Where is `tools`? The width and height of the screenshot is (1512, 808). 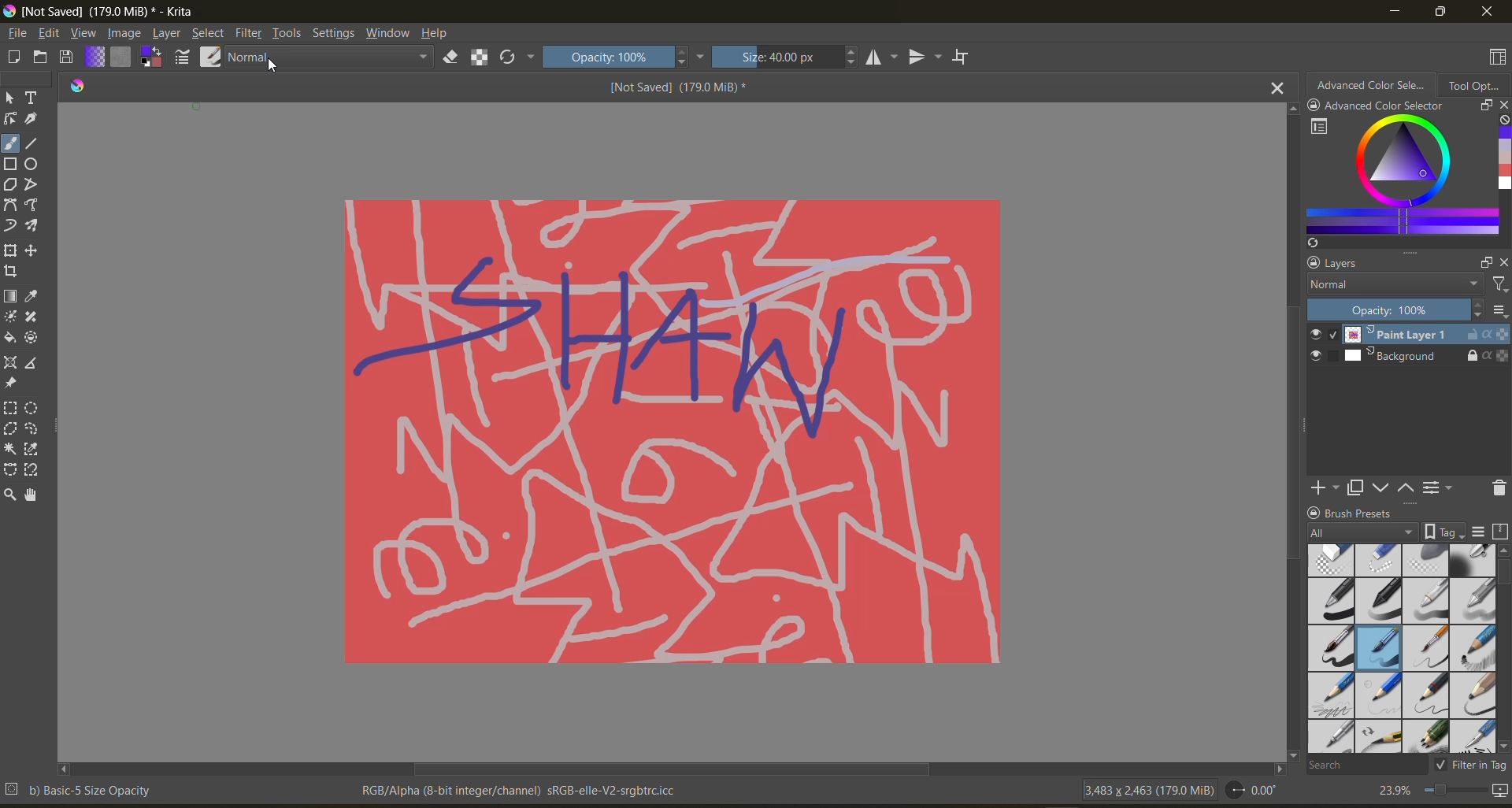 tools is located at coordinates (288, 34).